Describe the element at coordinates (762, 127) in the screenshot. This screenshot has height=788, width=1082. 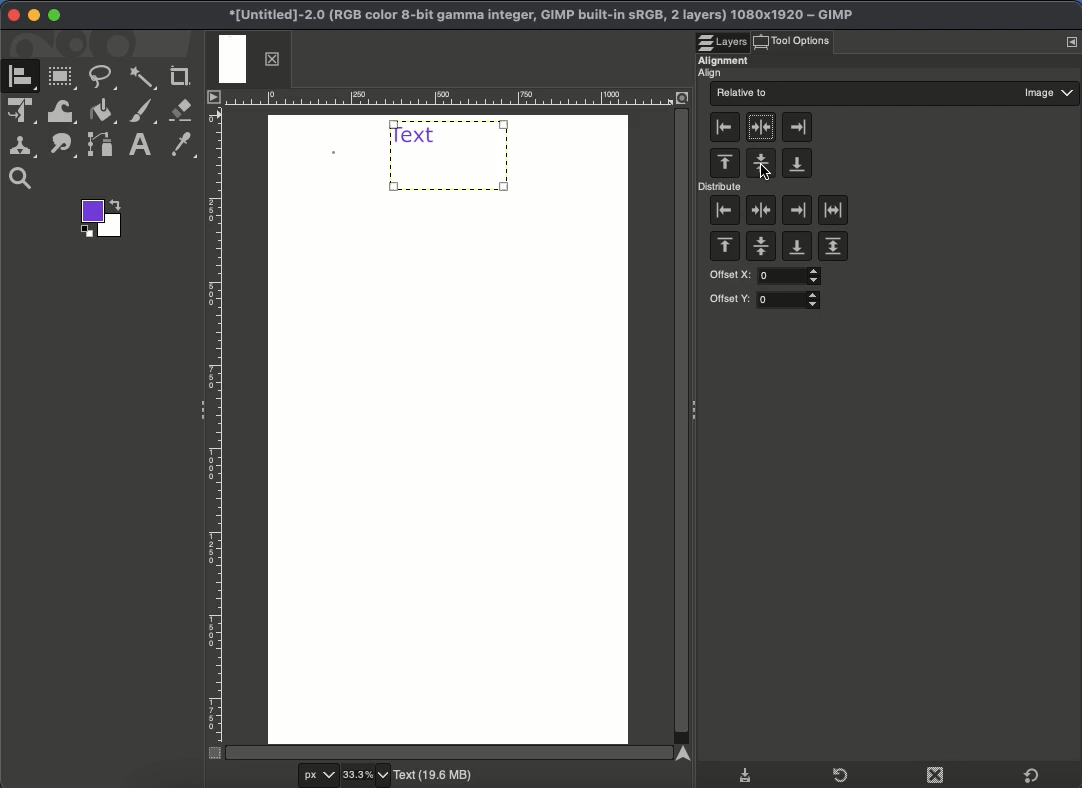
I see `Align to the center - vertically` at that location.